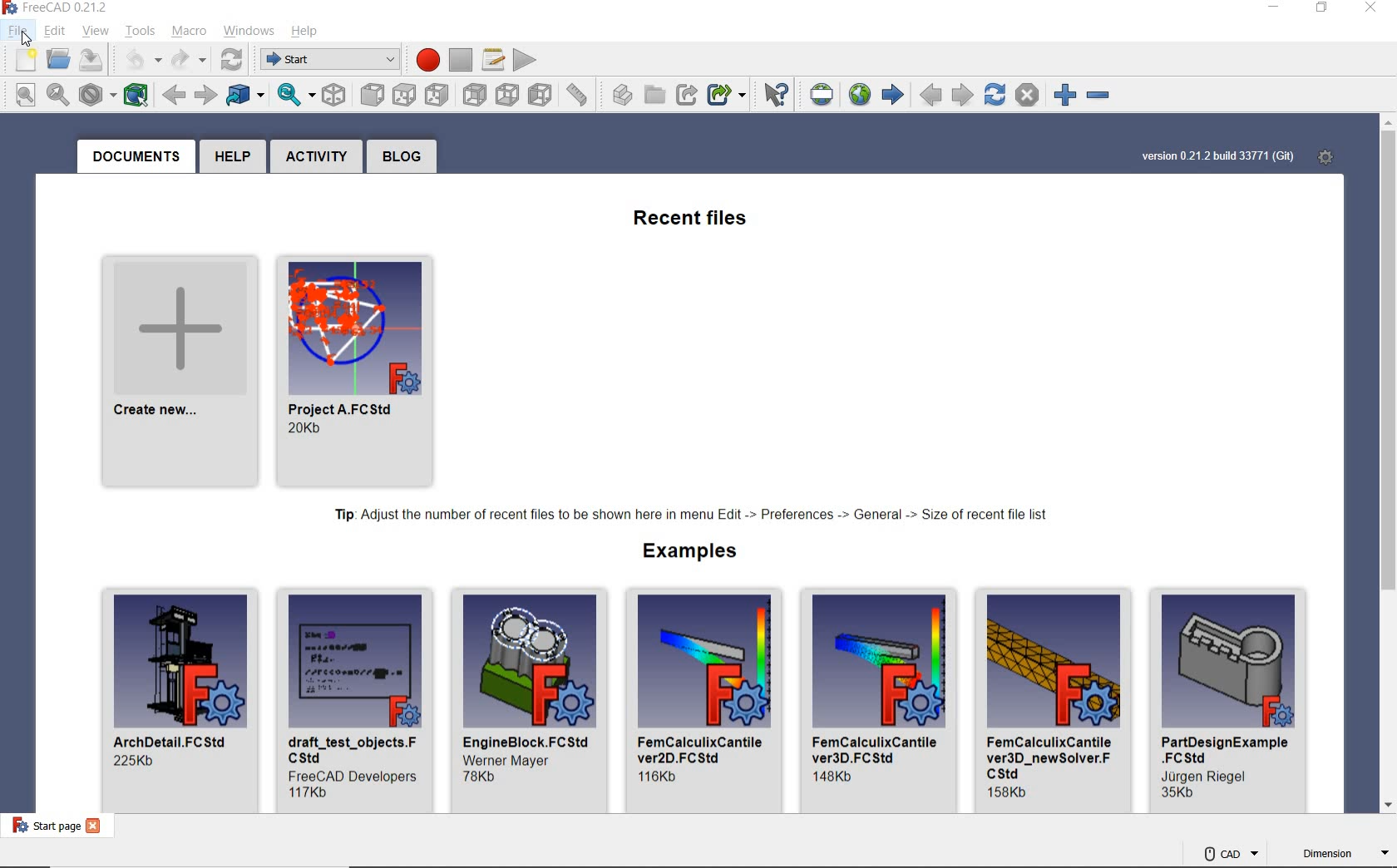  What do you see at coordinates (931, 96) in the screenshot?
I see `PREVIOUS PAGE` at bounding box center [931, 96].